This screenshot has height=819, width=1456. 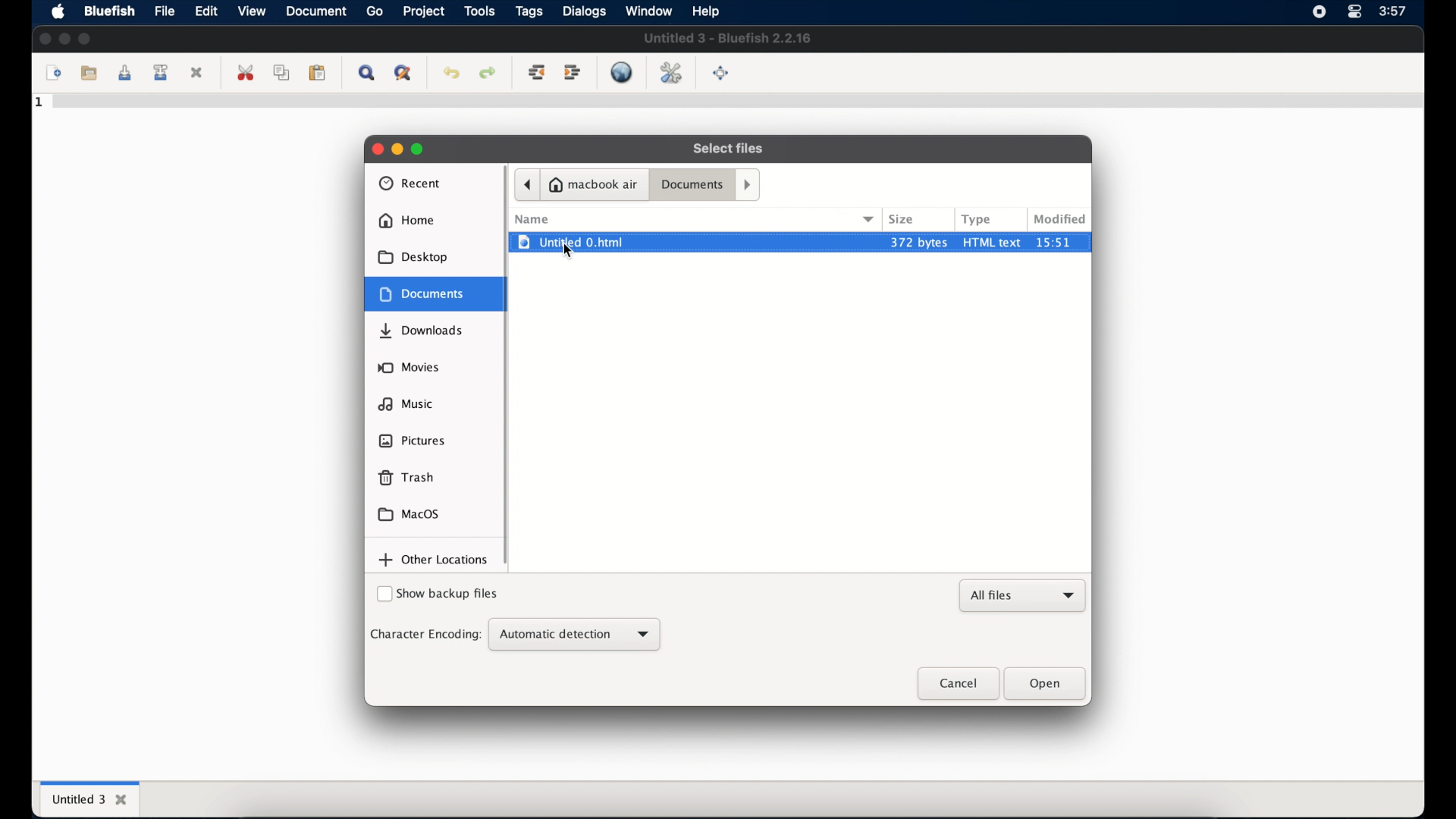 What do you see at coordinates (409, 514) in the screenshot?
I see `macOS` at bounding box center [409, 514].